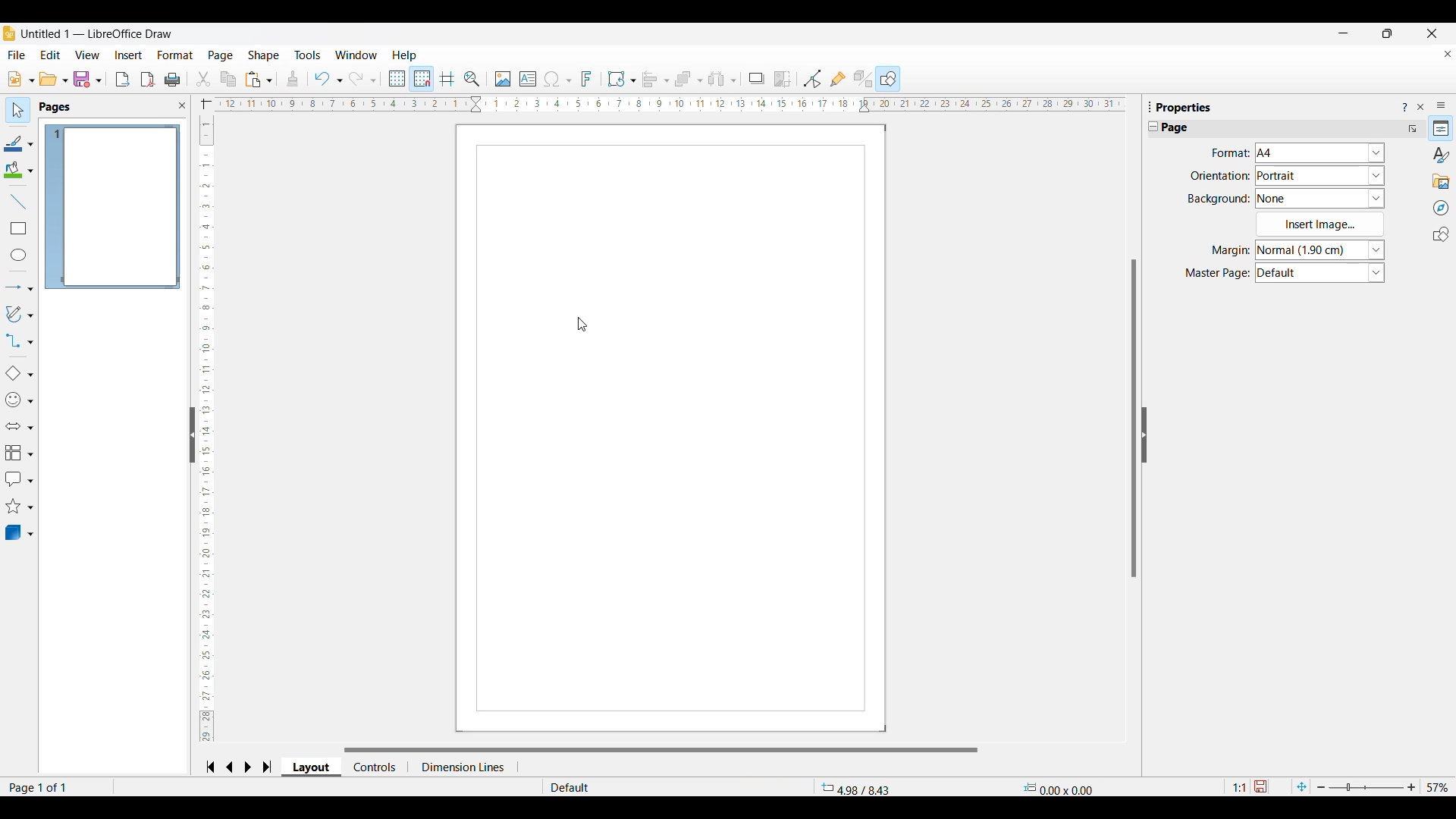  What do you see at coordinates (661, 750) in the screenshot?
I see `Horizontal slider` at bounding box center [661, 750].